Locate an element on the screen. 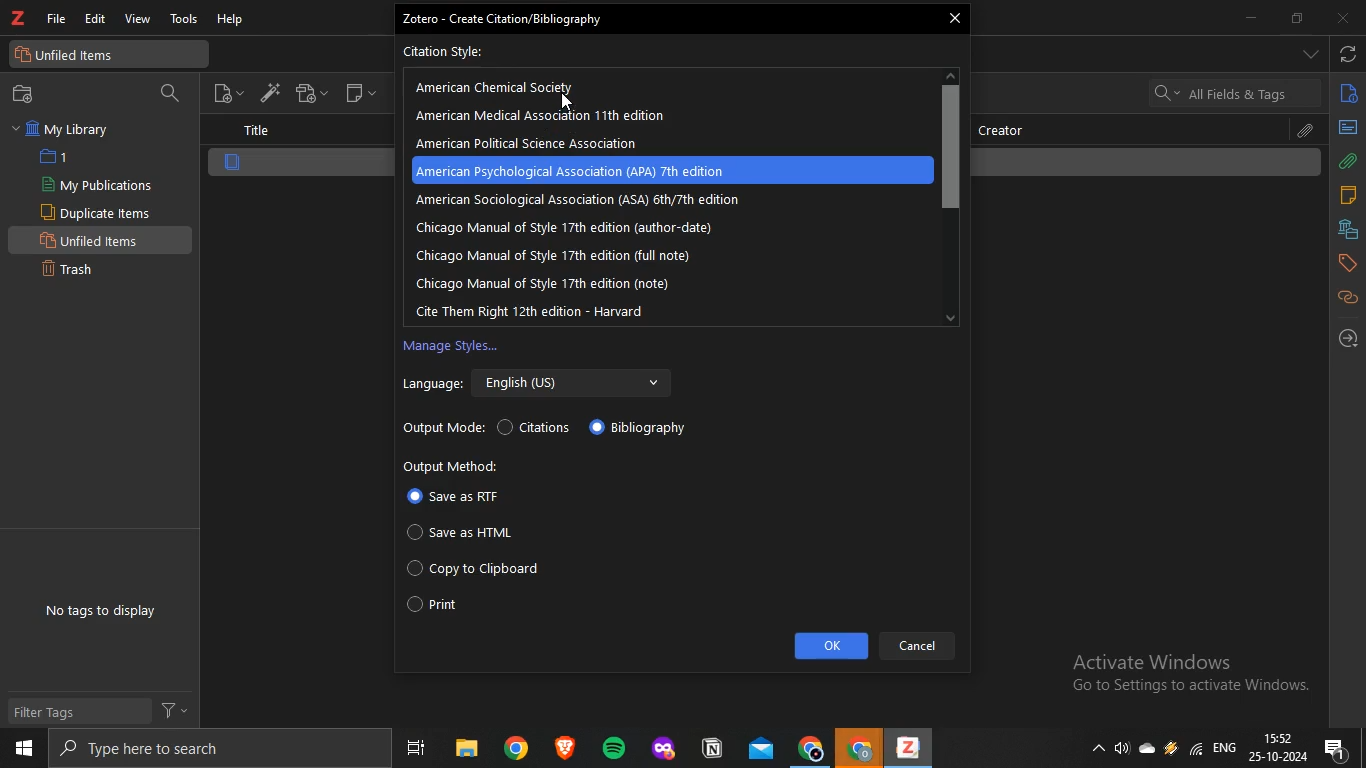  related is located at coordinates (1347, 298).